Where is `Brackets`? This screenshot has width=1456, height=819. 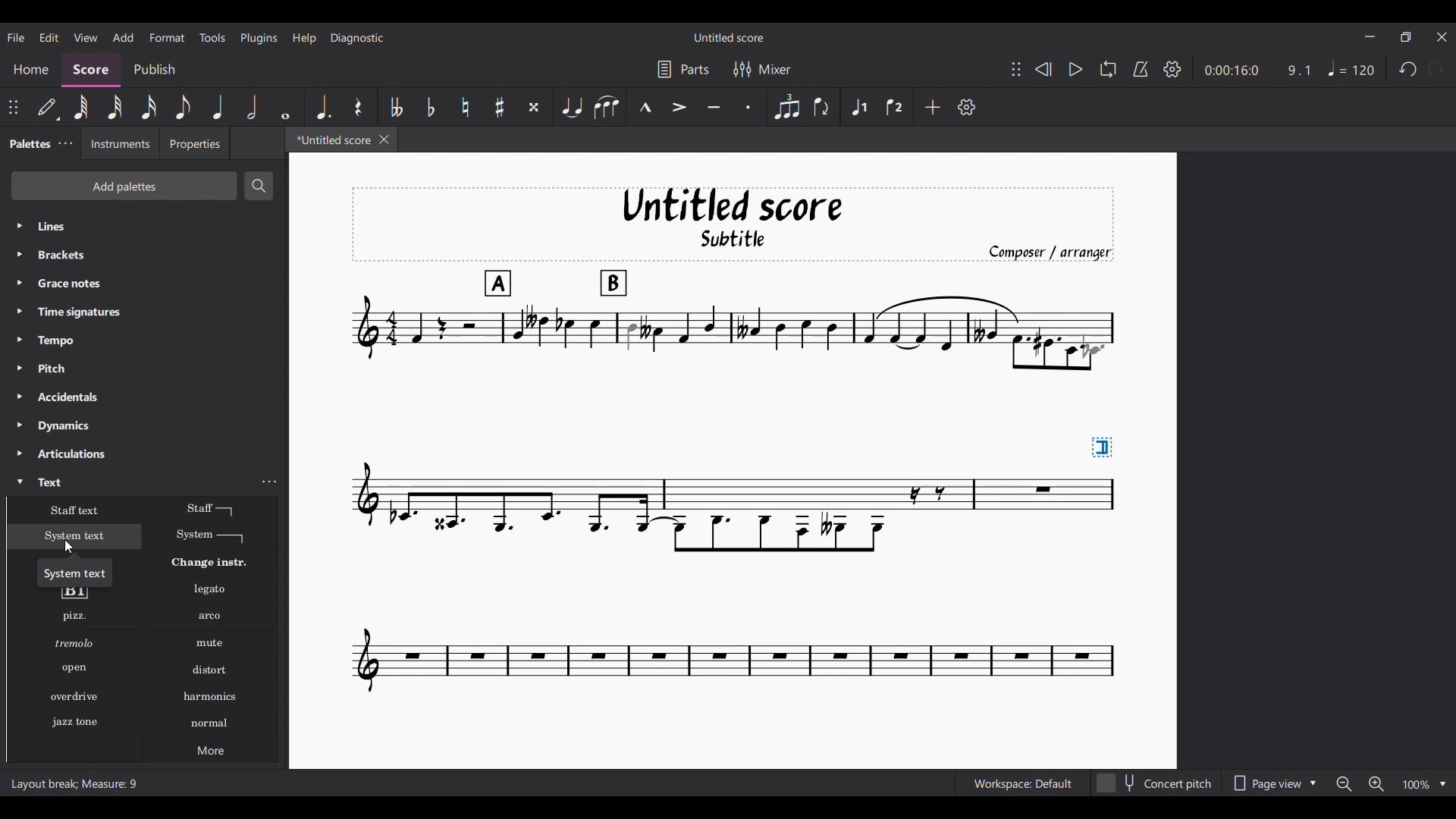 Brackets is located at coordinates (143, 255).